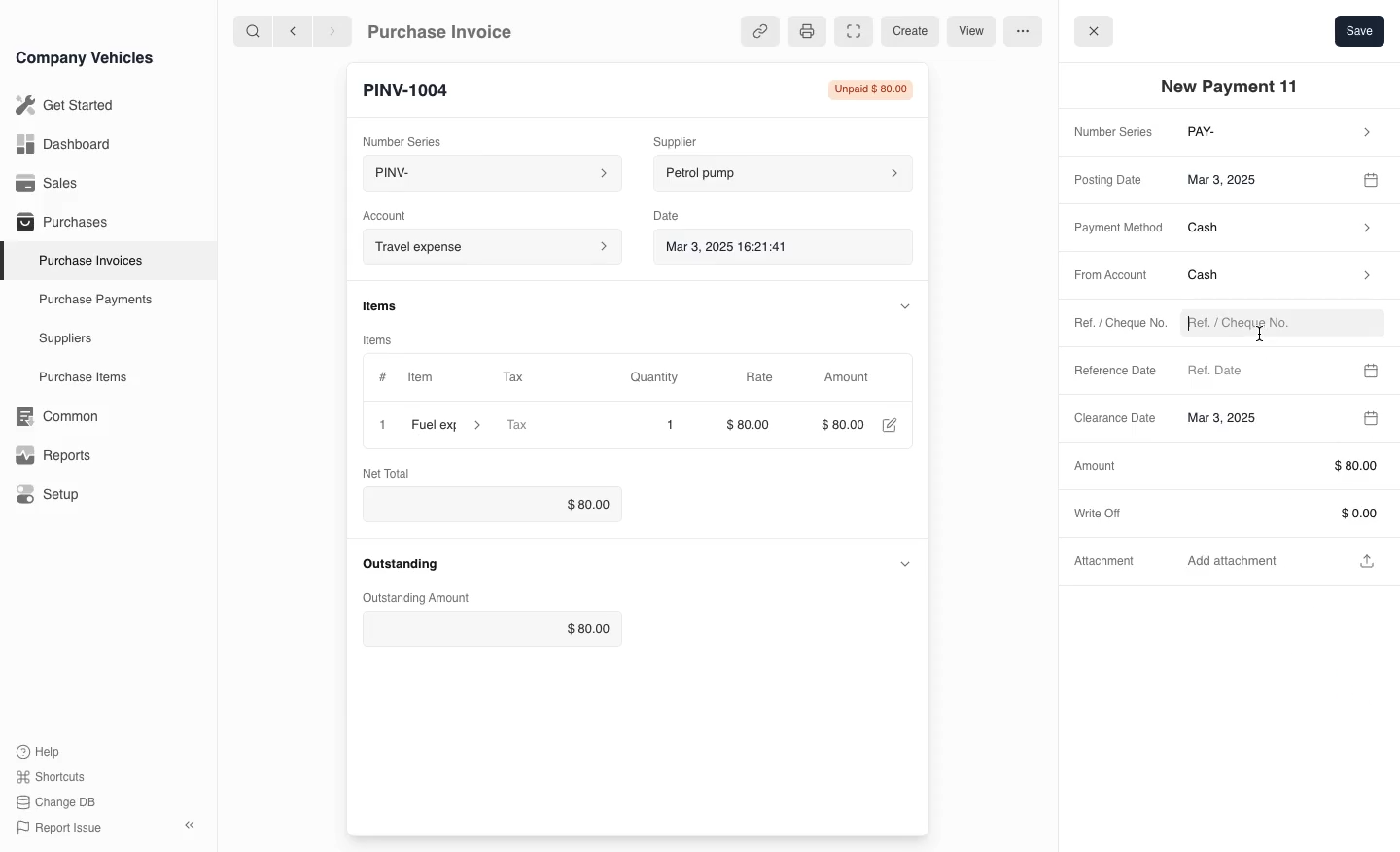 The image size is (1400, 852). What do you see at coordinates (664, 377) in the screenshot?
I see `Quantity` at bounding box center [664, 377].